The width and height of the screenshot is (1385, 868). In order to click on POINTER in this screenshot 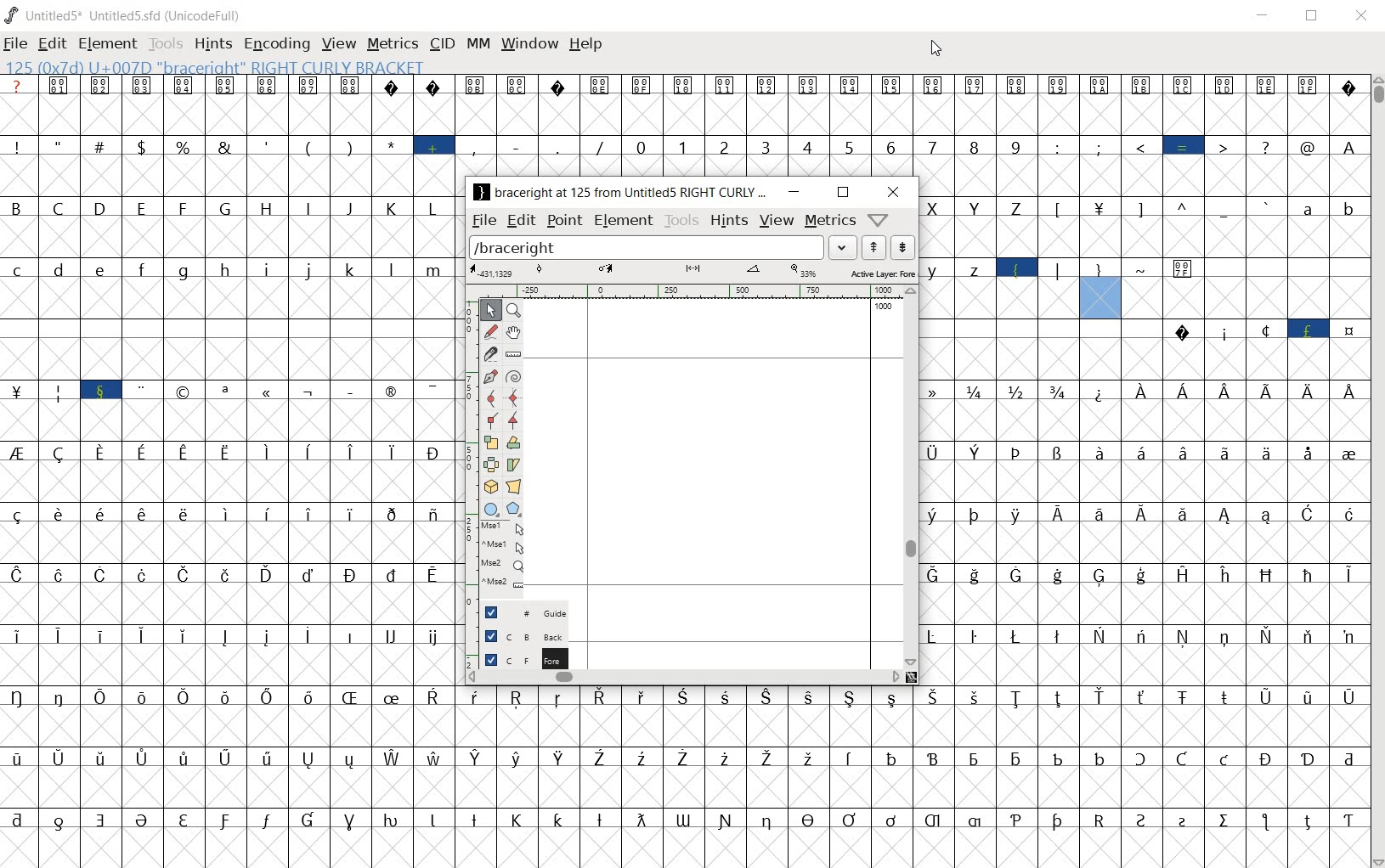, I will do `click(491, 309)`.